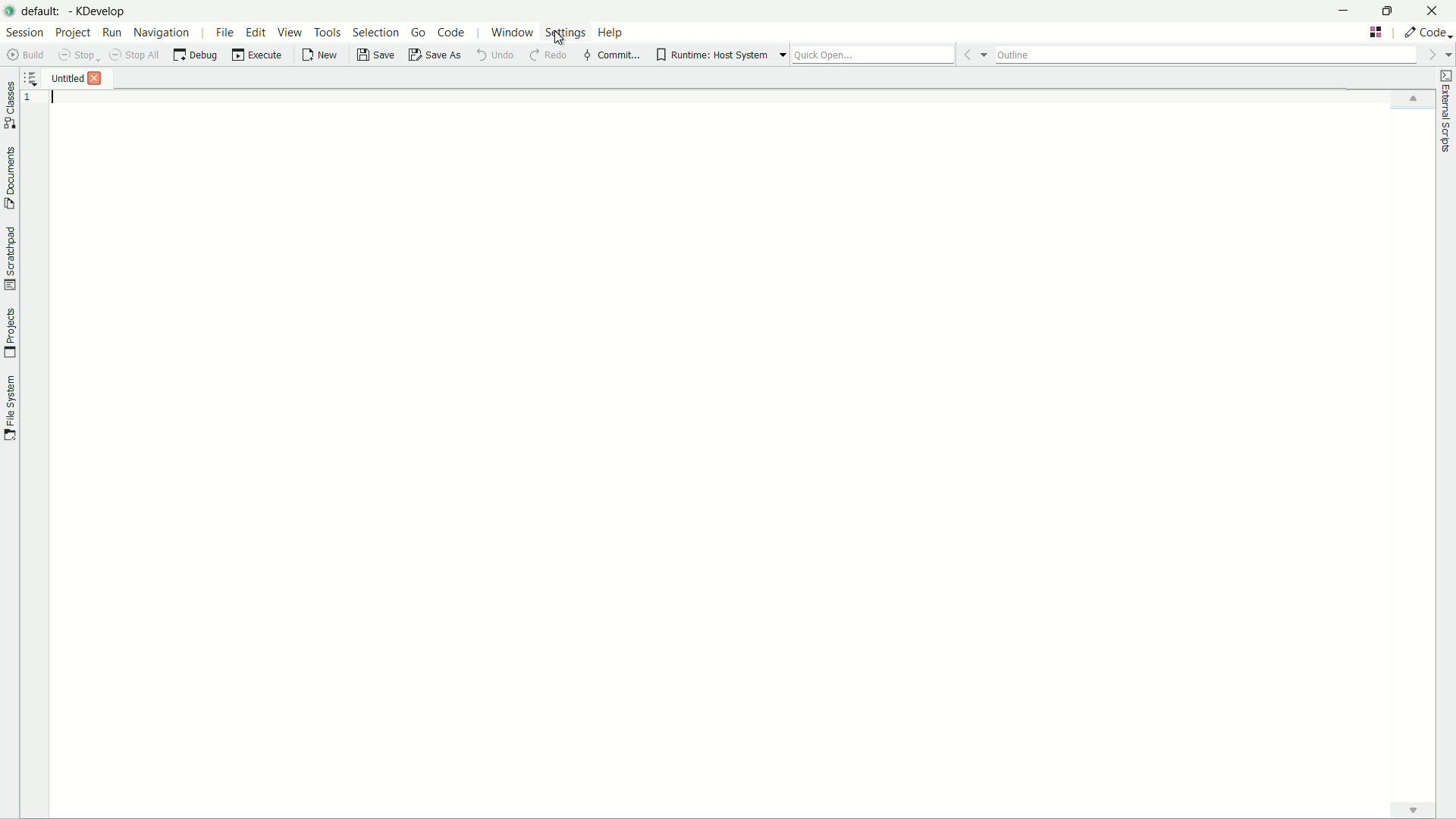 This screenshot has height=819, width=1456. I want to click on session, so click(25, 32).